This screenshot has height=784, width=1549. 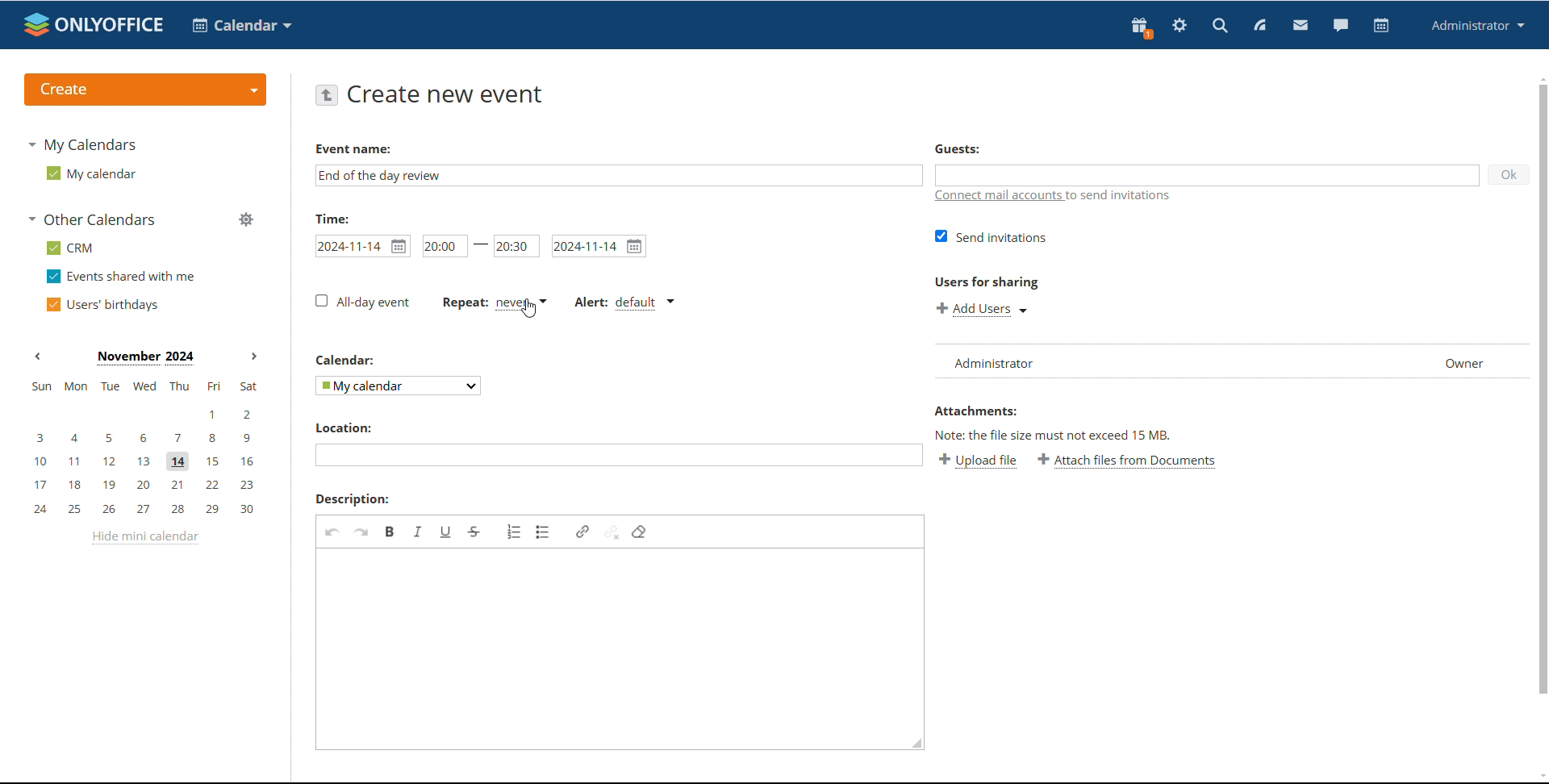 What do you see at coordinates (528, 309) in the screenshot?
I see `cursor` at bounding box center [528, 309].